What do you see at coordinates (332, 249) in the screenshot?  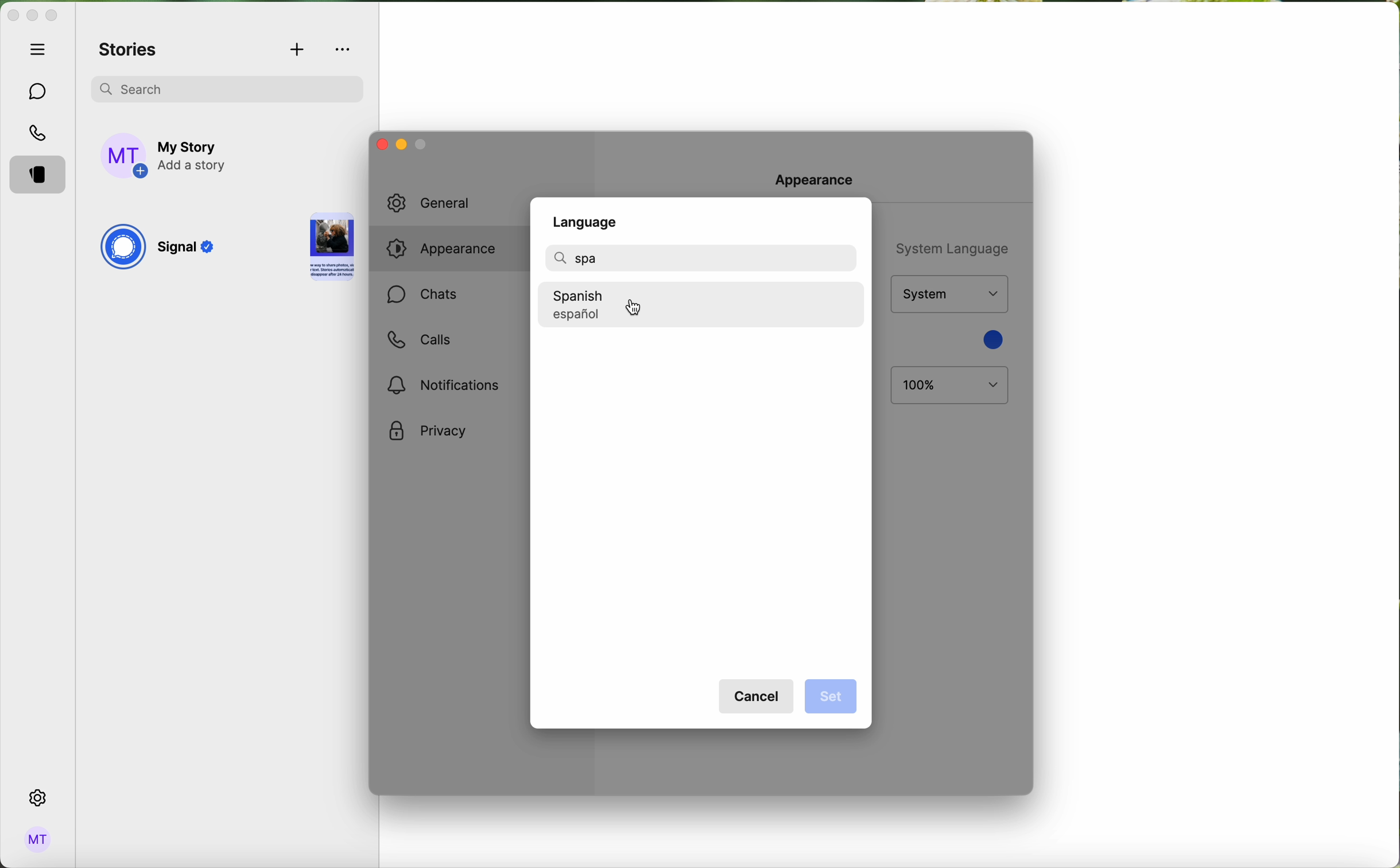 I see `story` at bounding box center [332, 249].